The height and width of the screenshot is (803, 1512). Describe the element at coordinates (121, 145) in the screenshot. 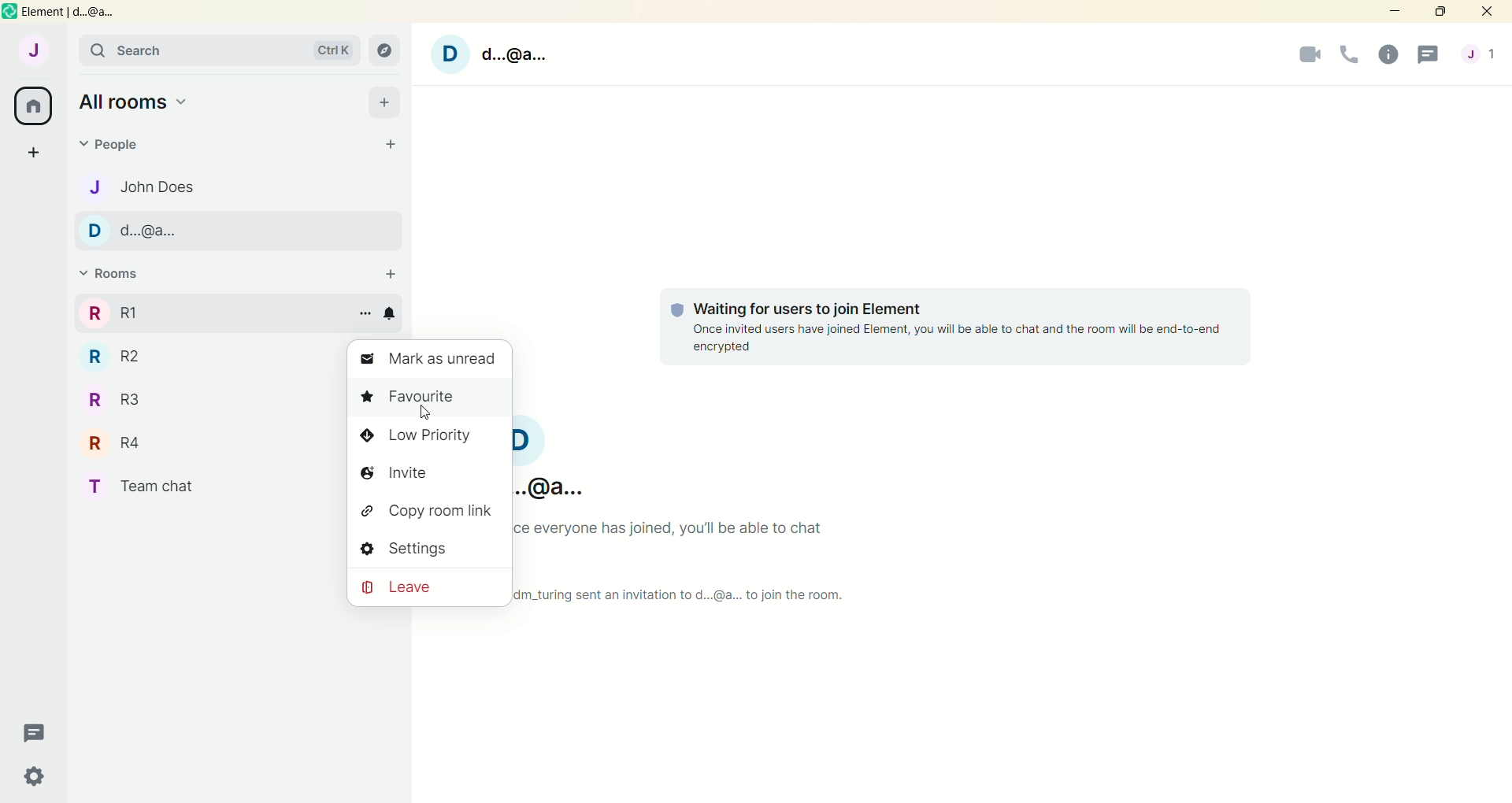

I see `People` at that location.